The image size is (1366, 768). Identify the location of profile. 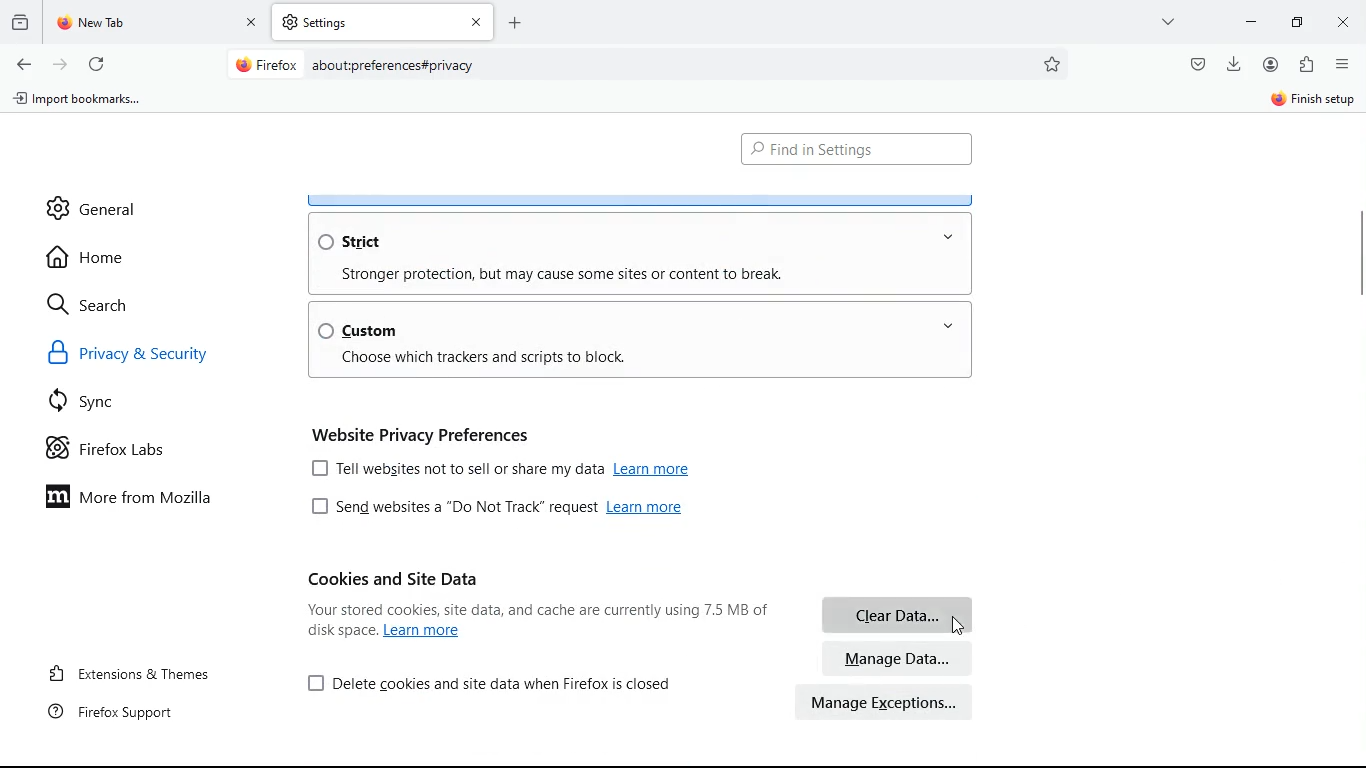
(1275, 64).